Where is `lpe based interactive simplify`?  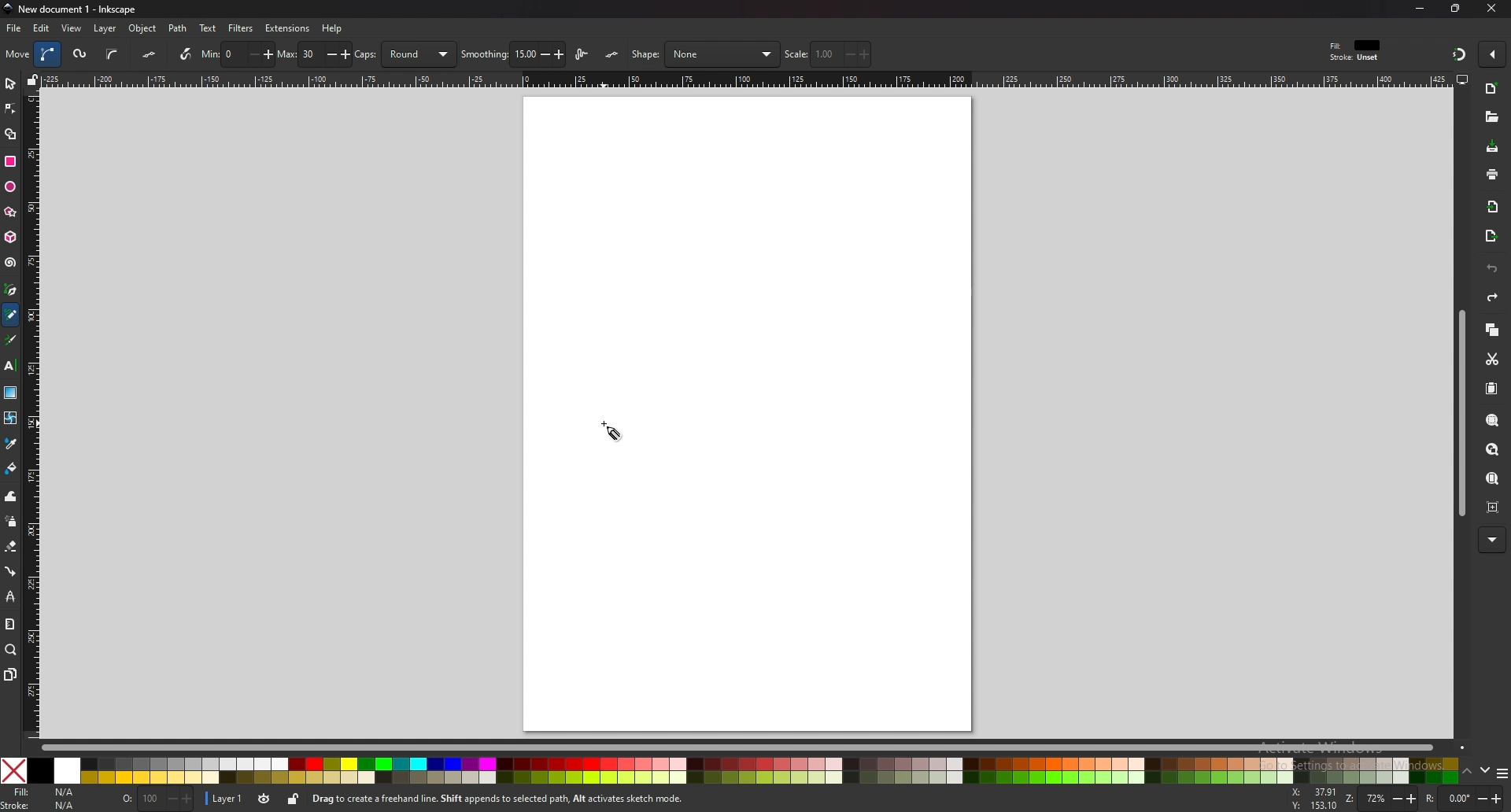
lpe based interactive simplify is located at coordinates (584, 53).